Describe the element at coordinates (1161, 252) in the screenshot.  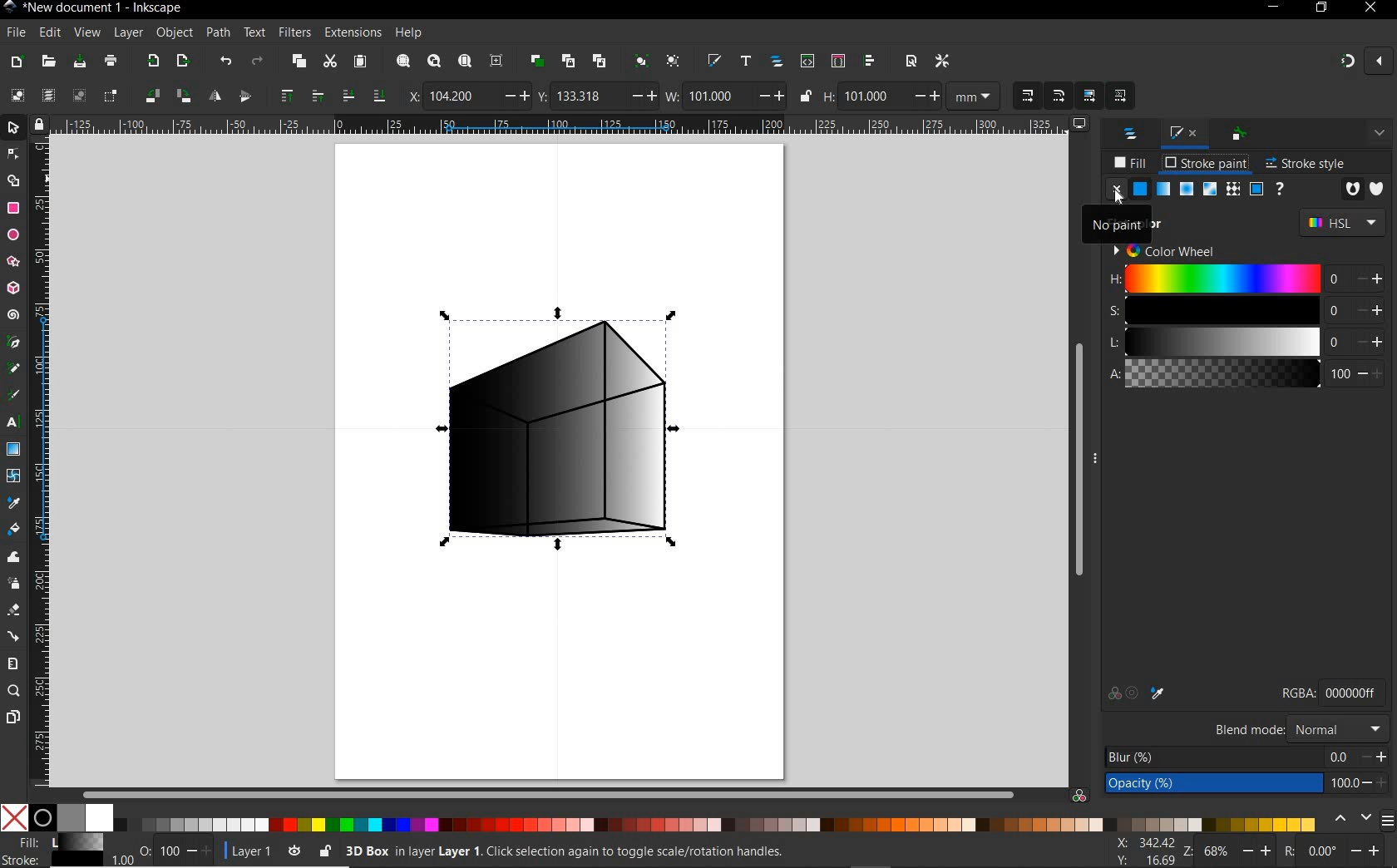
I see `COLOR WHEEL` at that location.